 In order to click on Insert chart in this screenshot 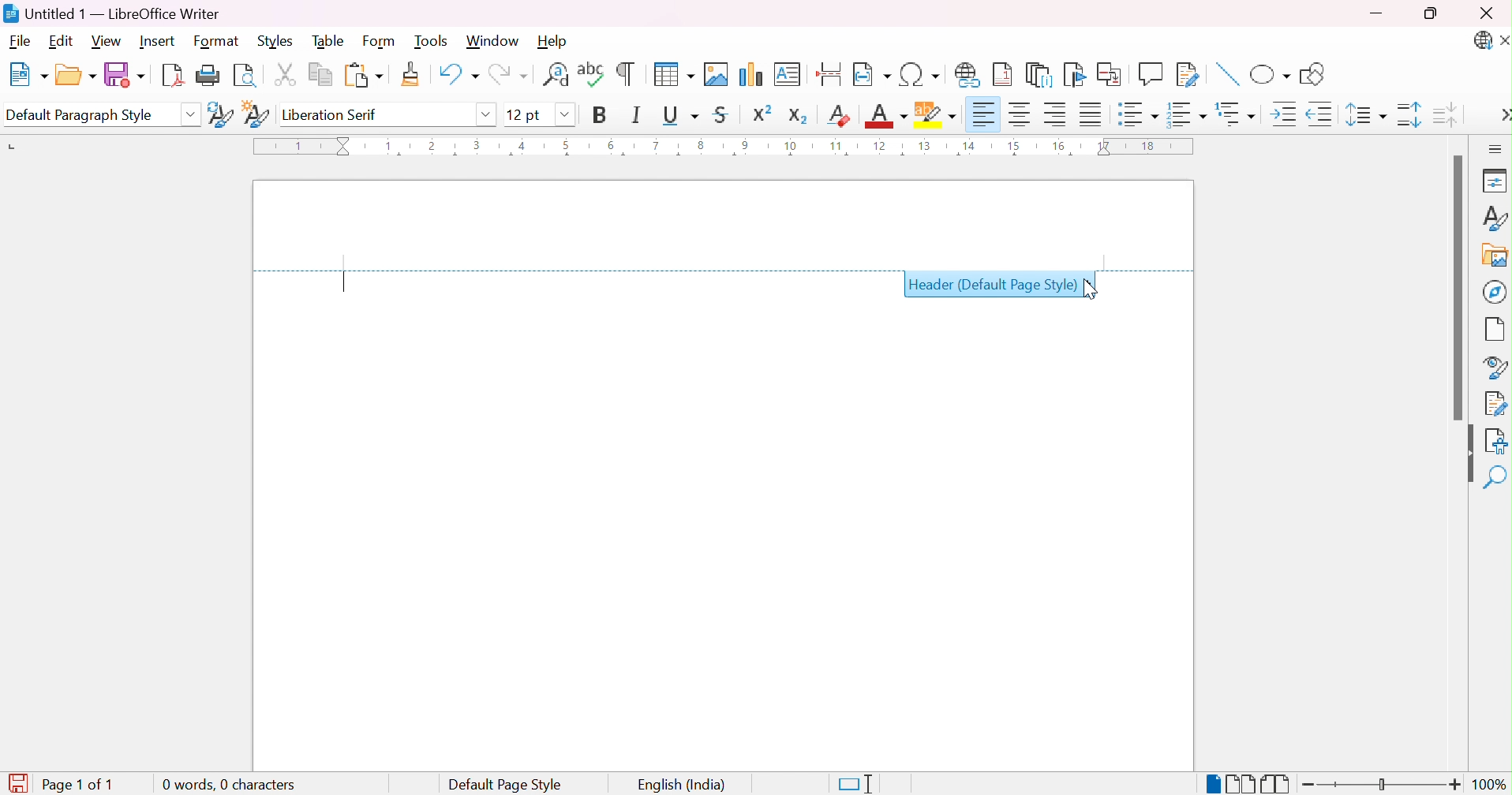, I will do `click(750, 73)`.